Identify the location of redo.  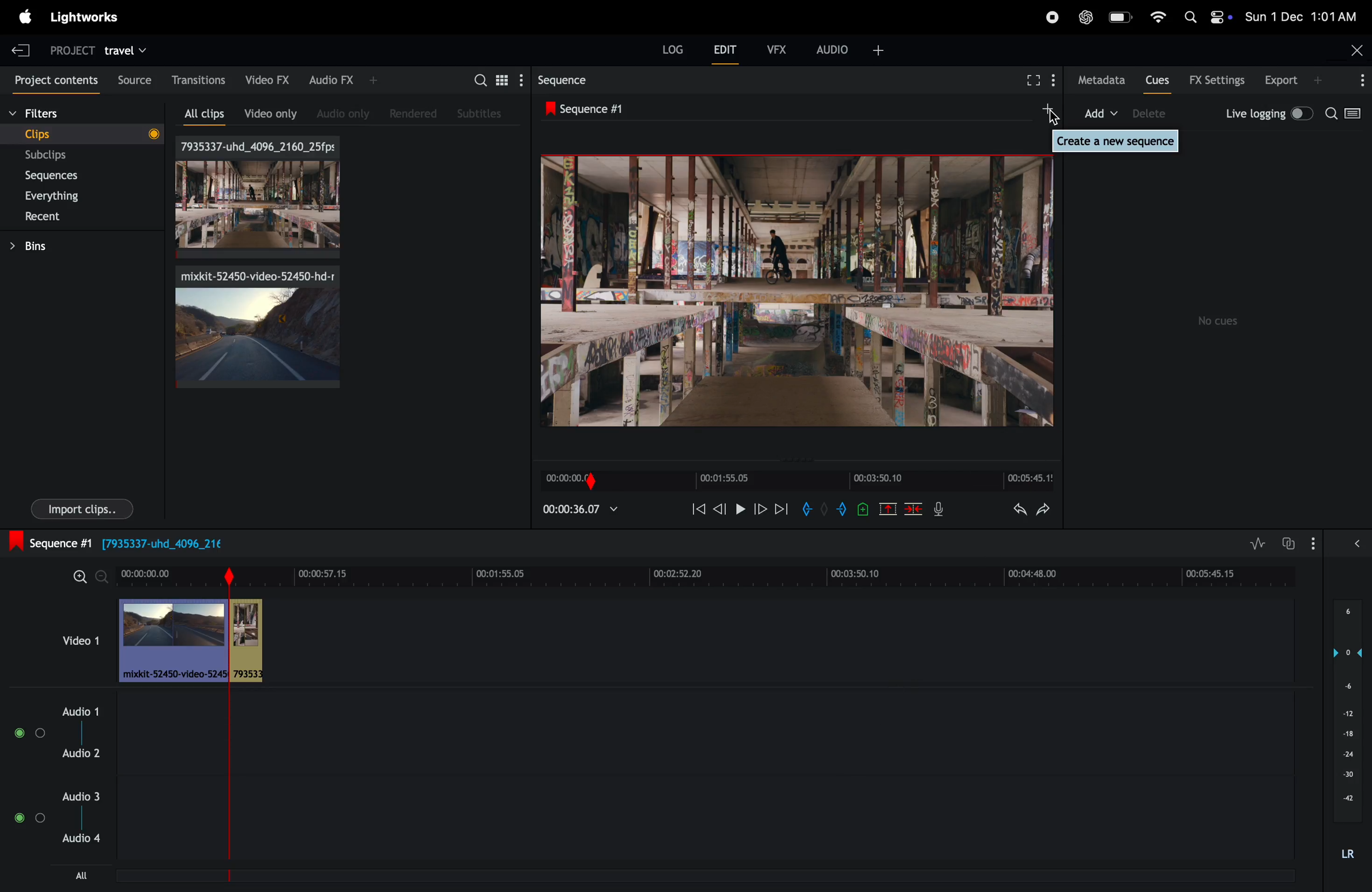
(1044, 510).